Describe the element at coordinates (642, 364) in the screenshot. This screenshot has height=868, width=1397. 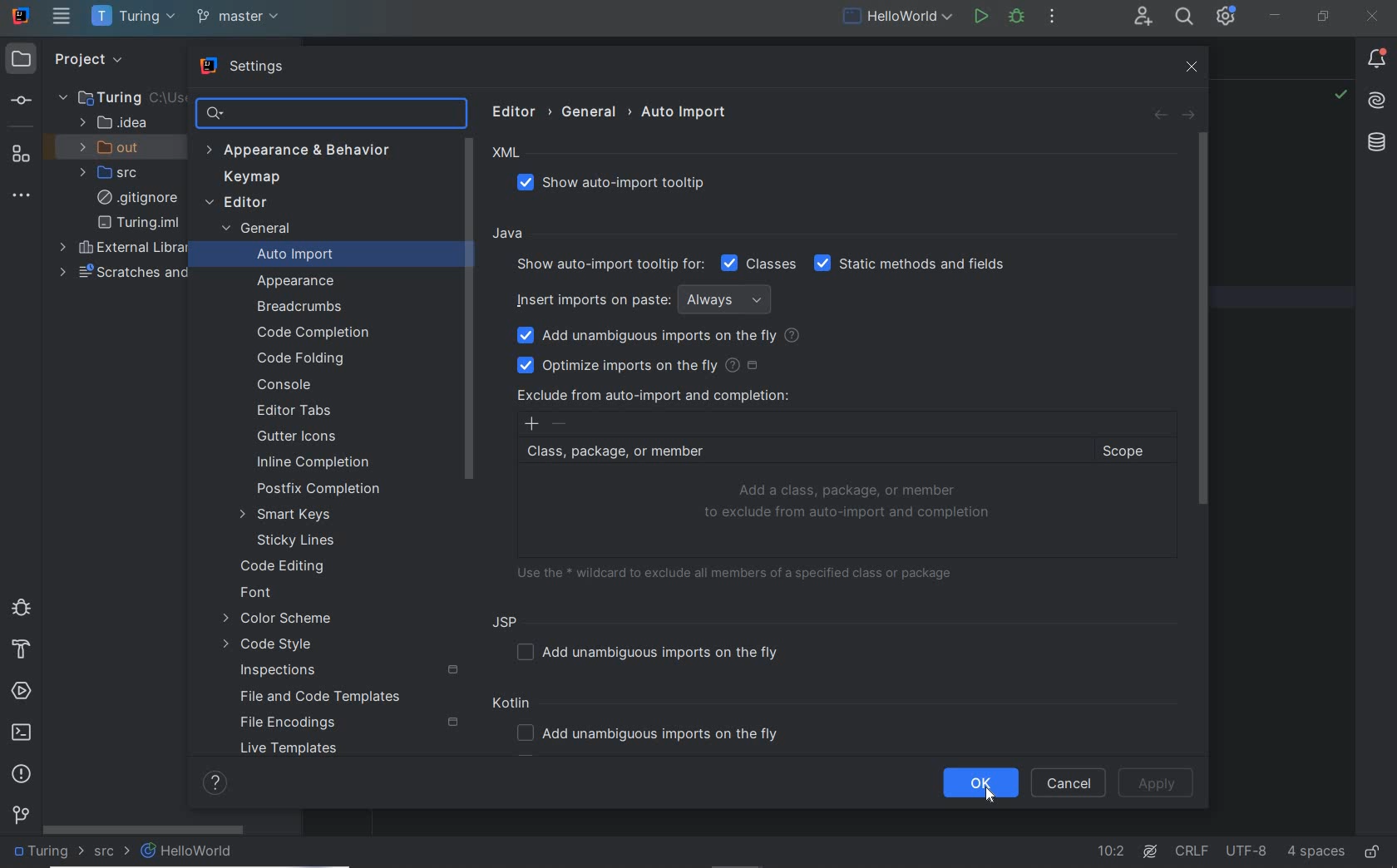
I see `OPTIMIZE IMPORTS ON THE FLY (checked)` at that location.